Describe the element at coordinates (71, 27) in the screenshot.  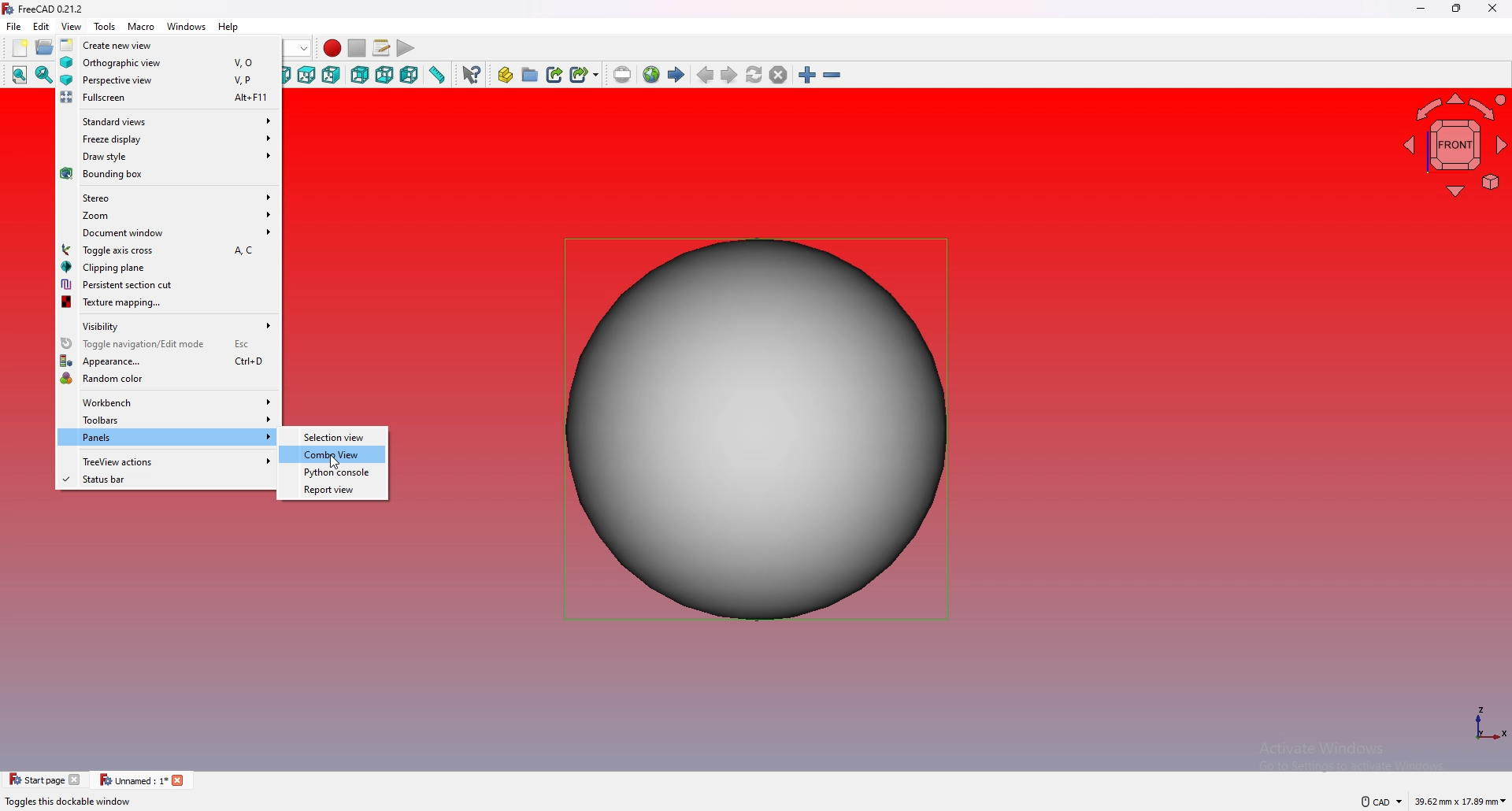
I see `view` at that location.